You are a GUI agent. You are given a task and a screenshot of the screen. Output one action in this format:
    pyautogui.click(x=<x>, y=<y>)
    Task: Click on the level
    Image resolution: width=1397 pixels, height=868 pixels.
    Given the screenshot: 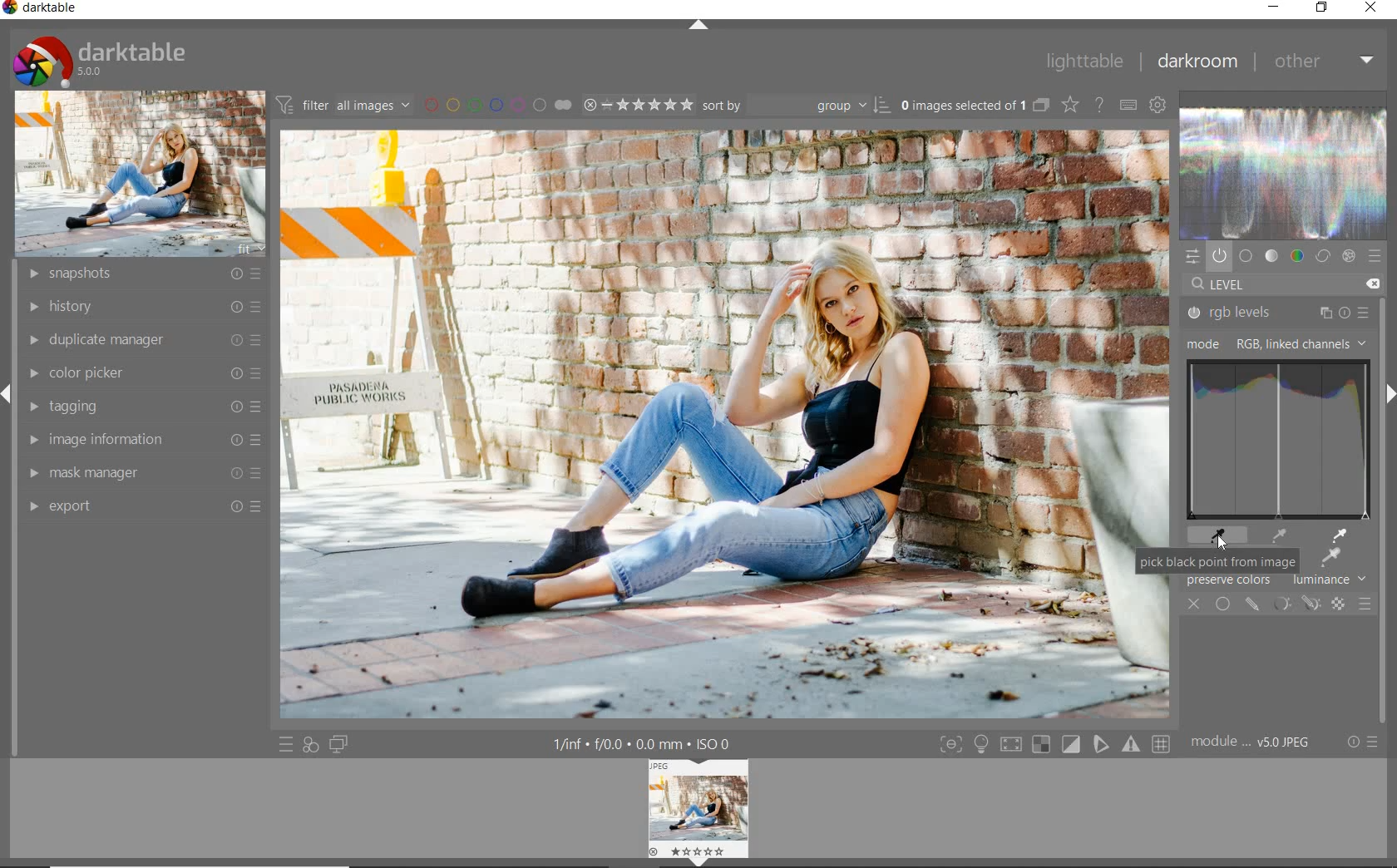 What is the action you would take?
    pyautogui.click(x=1227, y=284)
    